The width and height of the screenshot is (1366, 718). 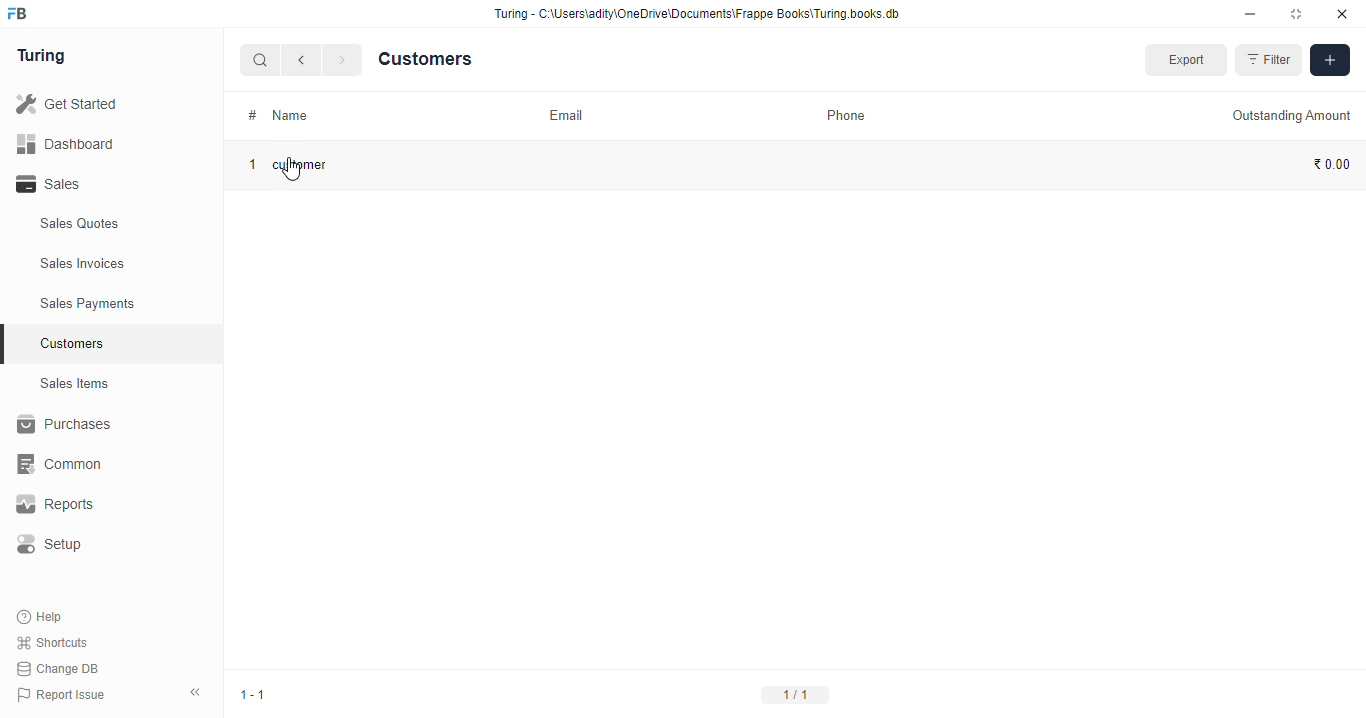 What do you see at coordinates (100, 427) in the screenshot?
I see `Purchases` at bounding box center [100, 427].